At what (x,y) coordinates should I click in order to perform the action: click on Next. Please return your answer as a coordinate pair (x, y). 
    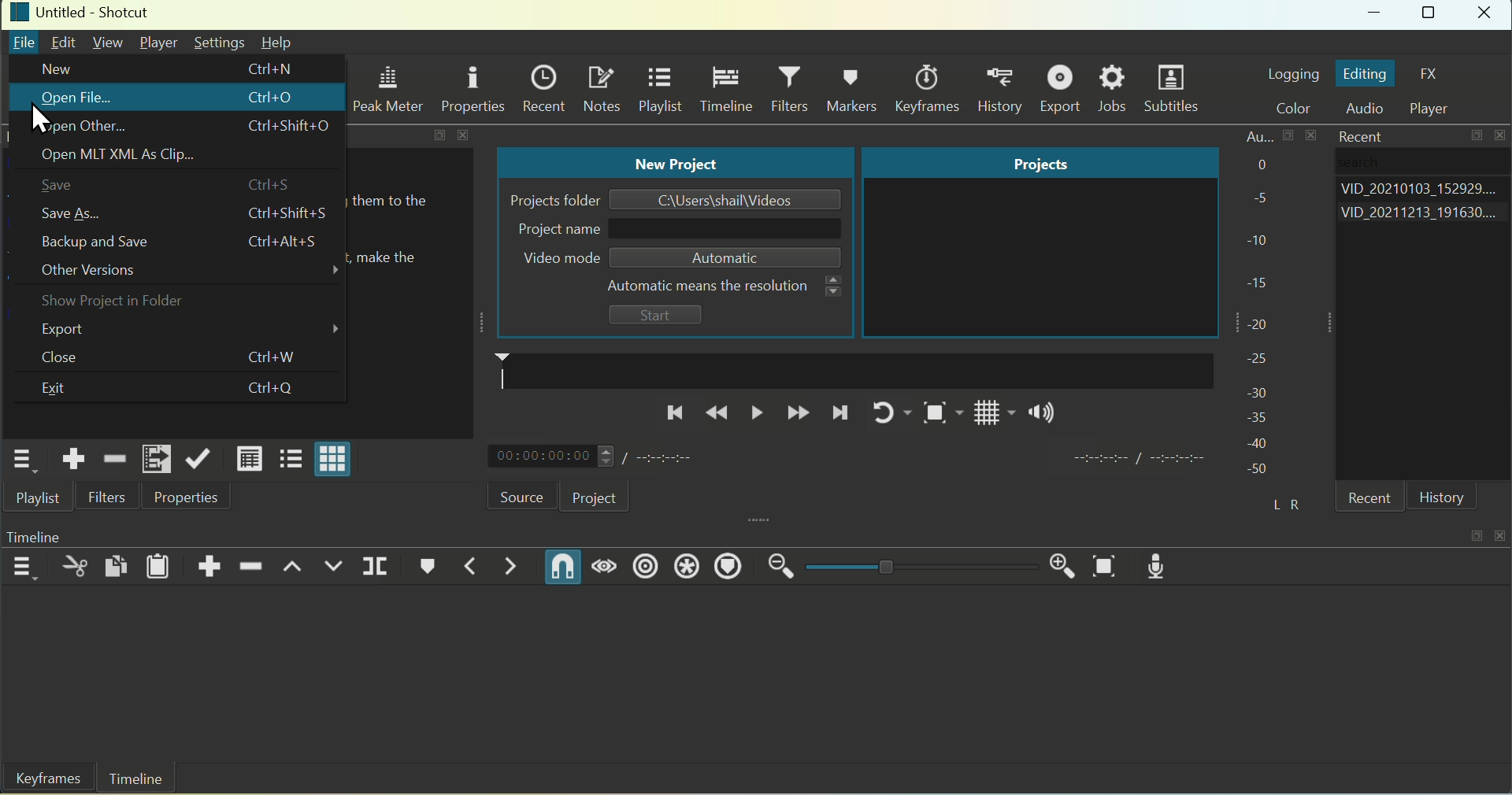
    Looking at the image, I should click on (840, 417).